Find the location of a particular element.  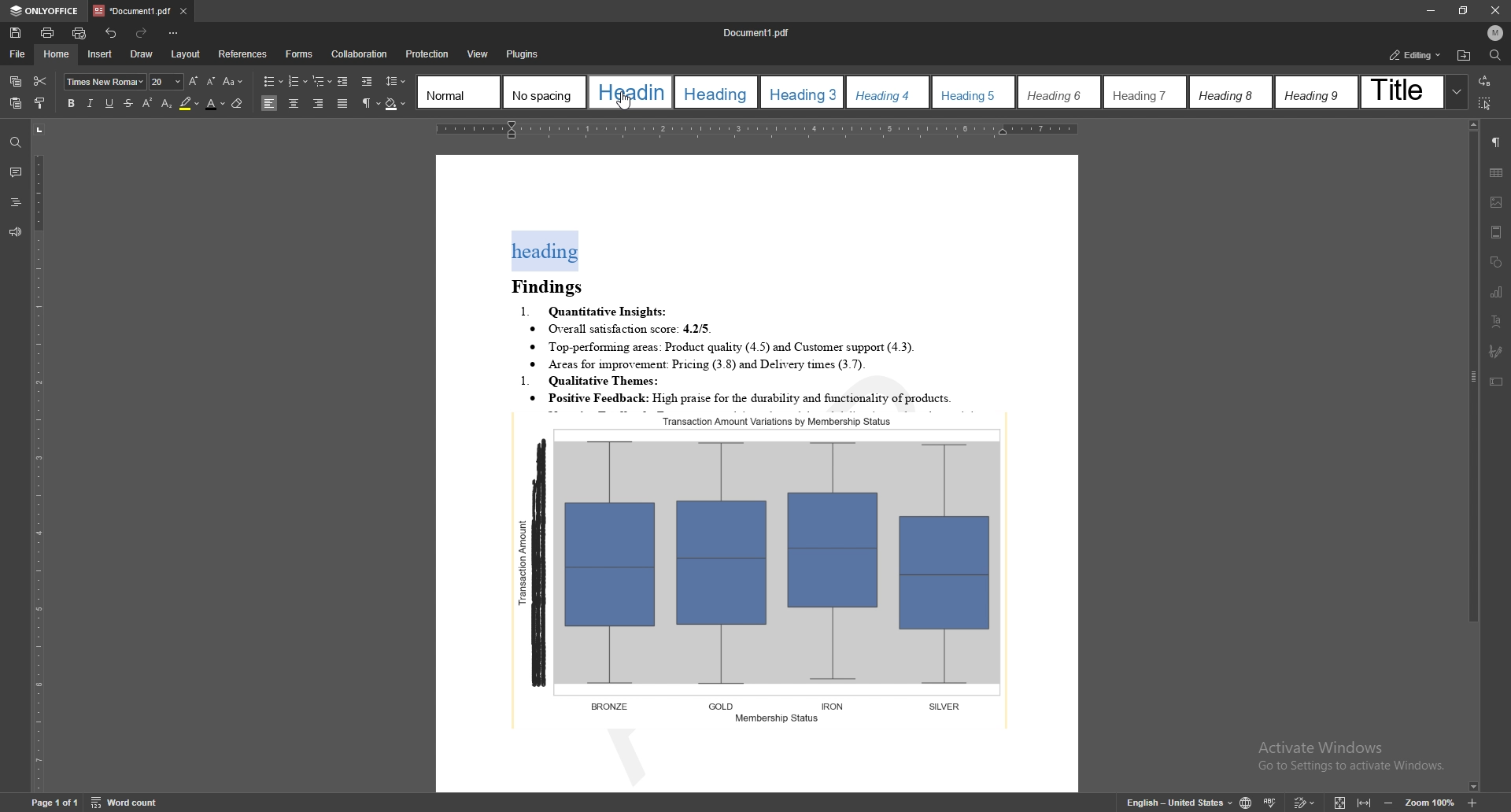

references is located at coordinates (242, 54).